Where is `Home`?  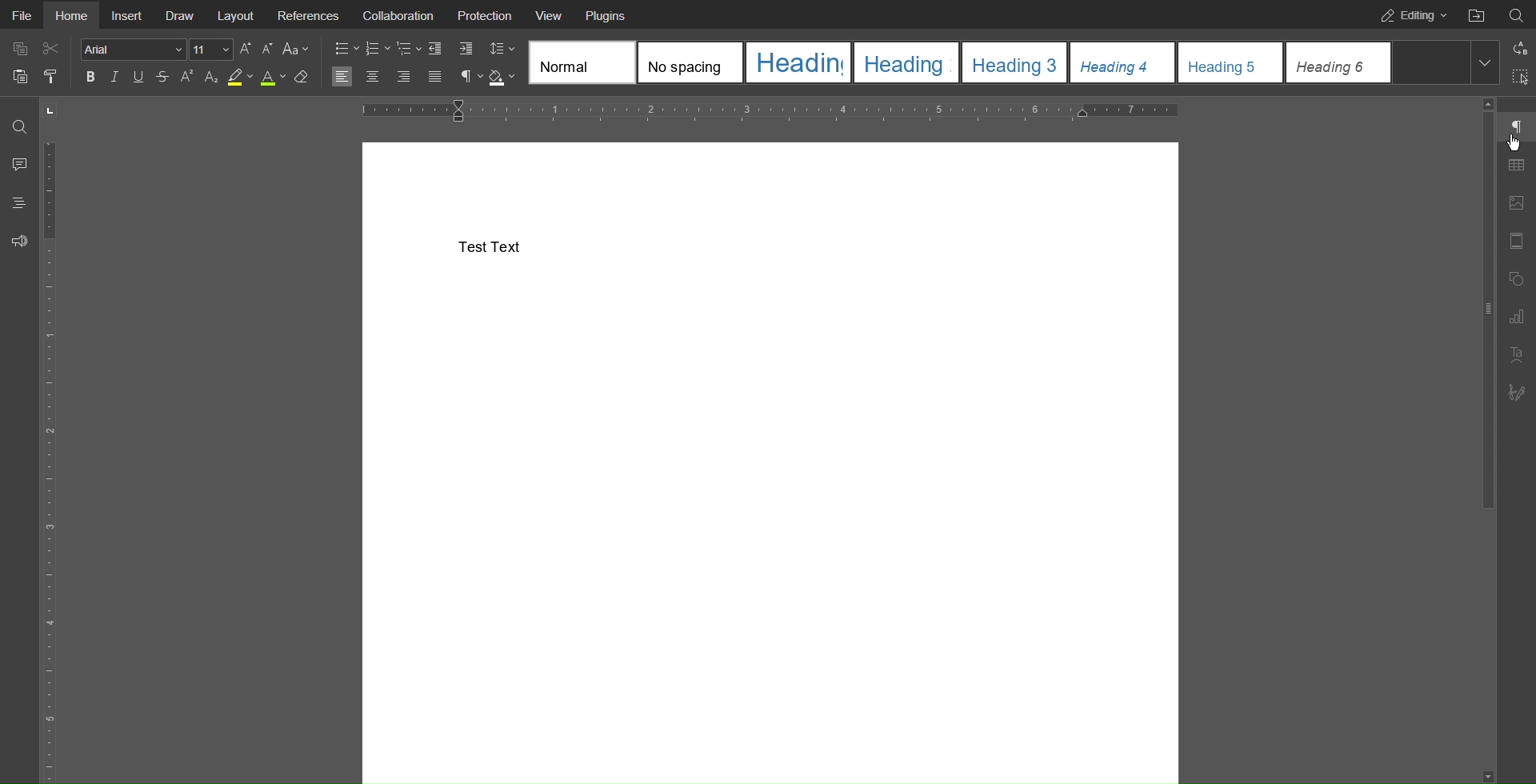 Home is located at coordinates (70, 15).